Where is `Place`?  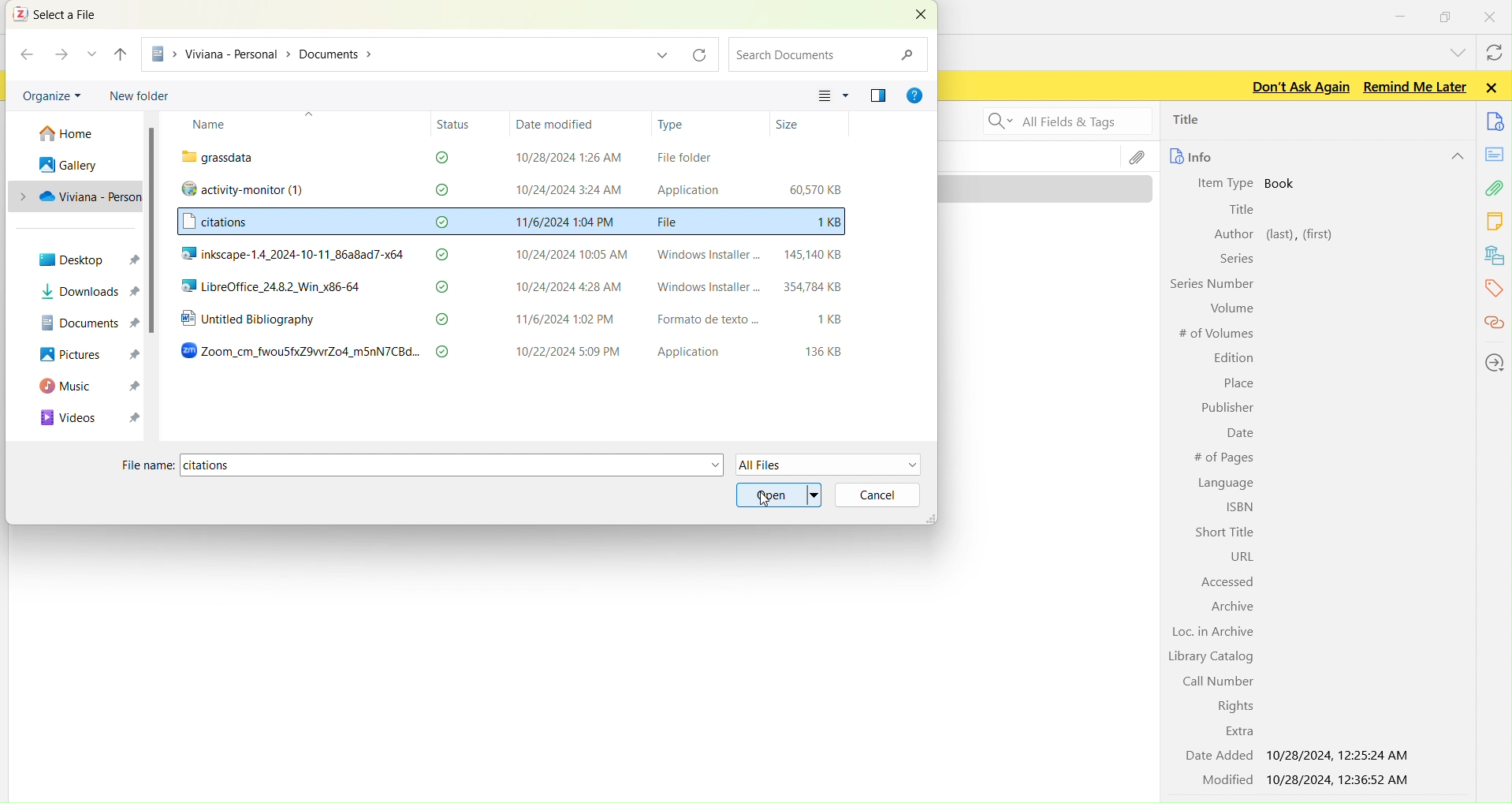
Place is located at coordinates (1239, 383).